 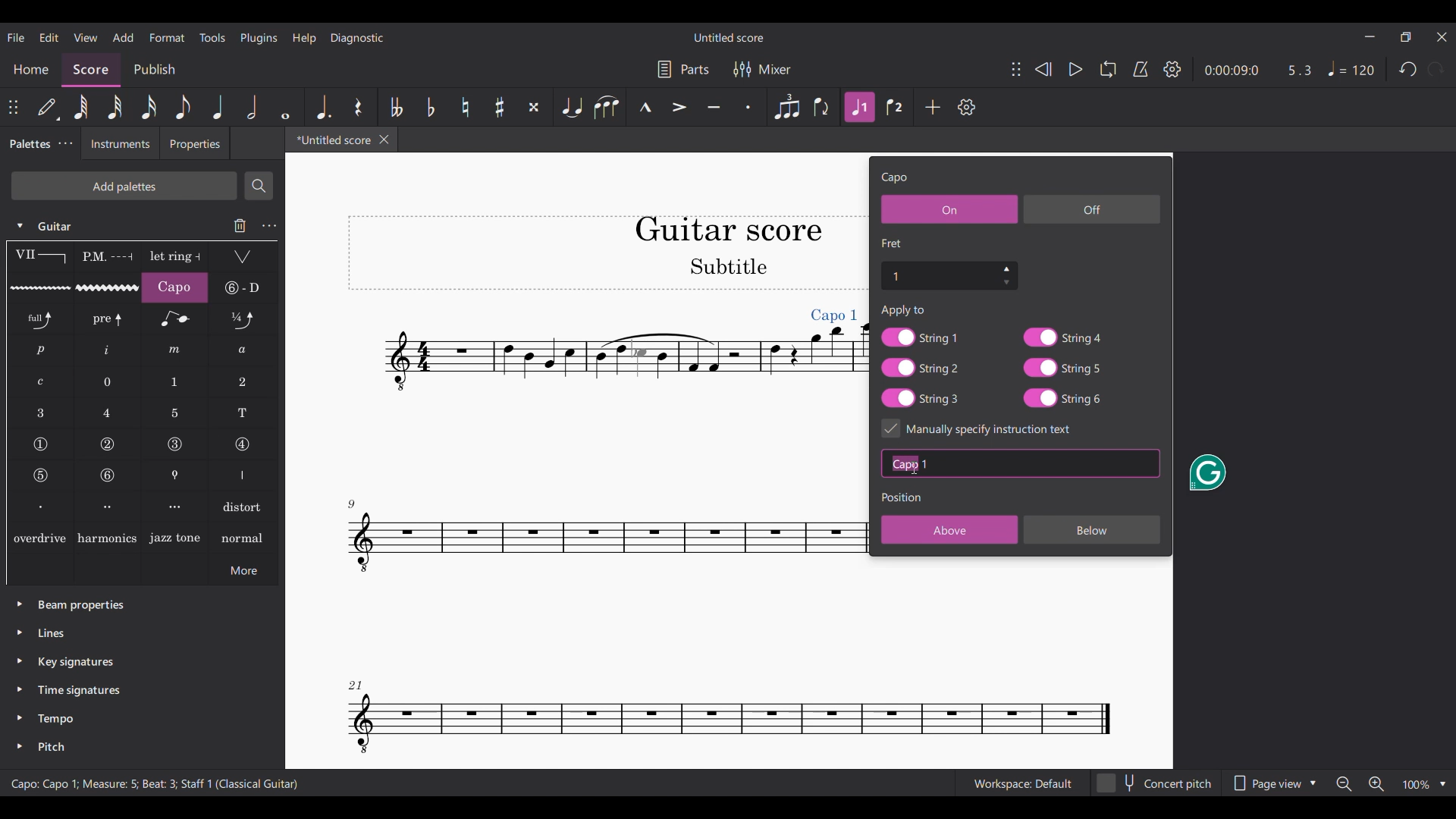 I want to click on String number 4, so click(x=242, y=445).